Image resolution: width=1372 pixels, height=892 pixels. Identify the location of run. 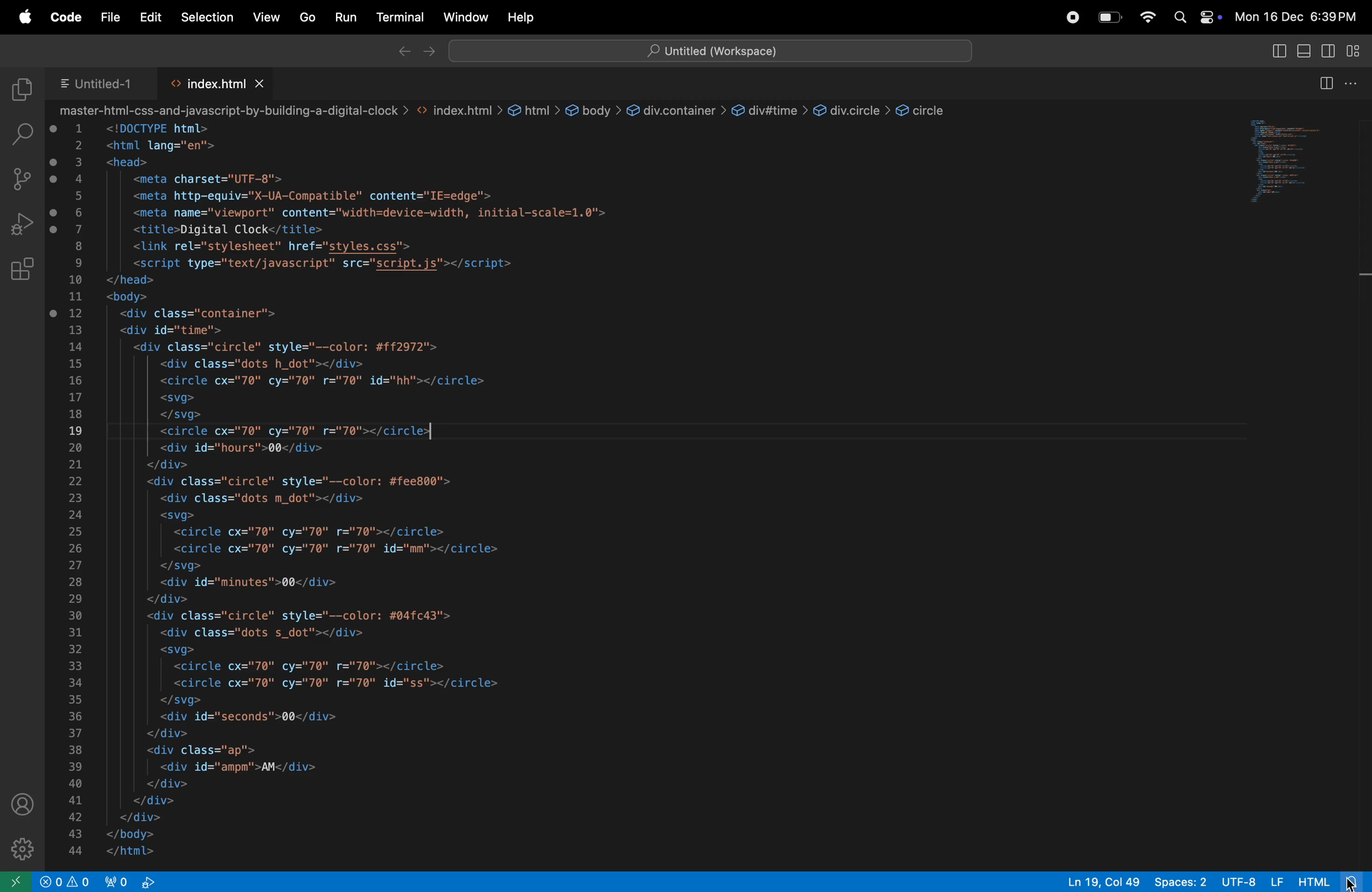
(344, 18).